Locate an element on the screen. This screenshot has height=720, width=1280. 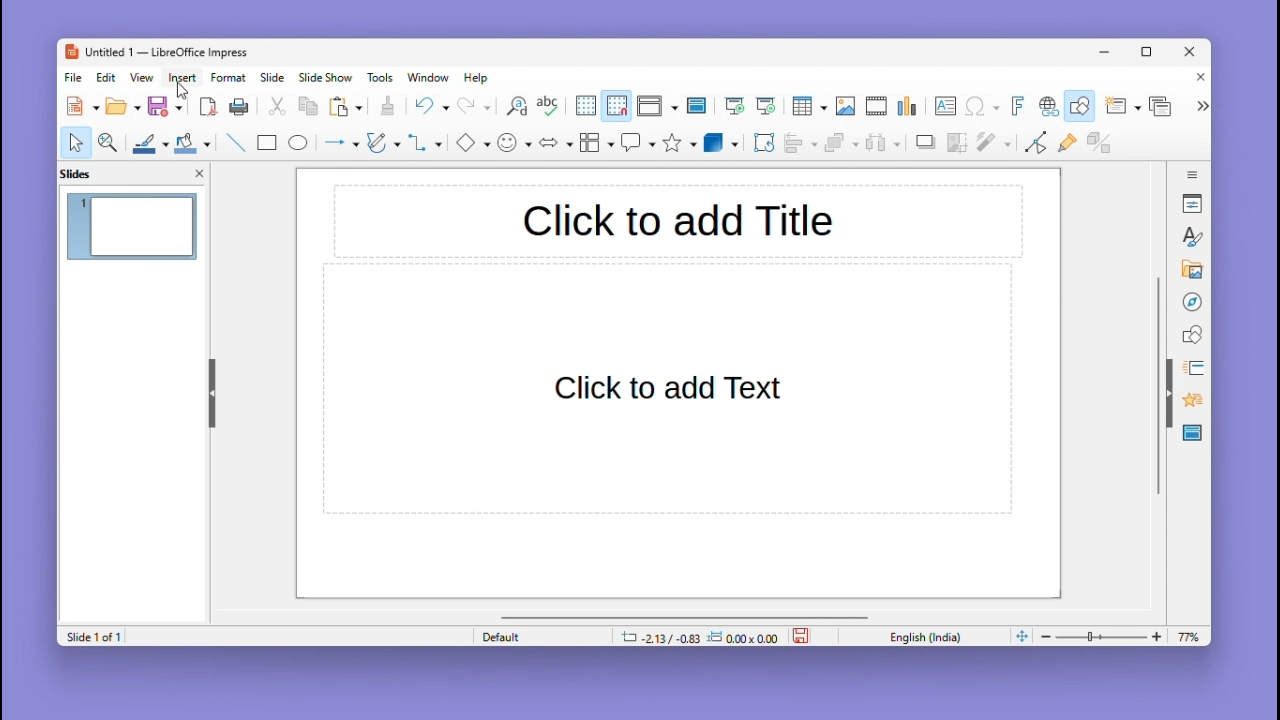
Shadow is located at coordinates (926, 146).